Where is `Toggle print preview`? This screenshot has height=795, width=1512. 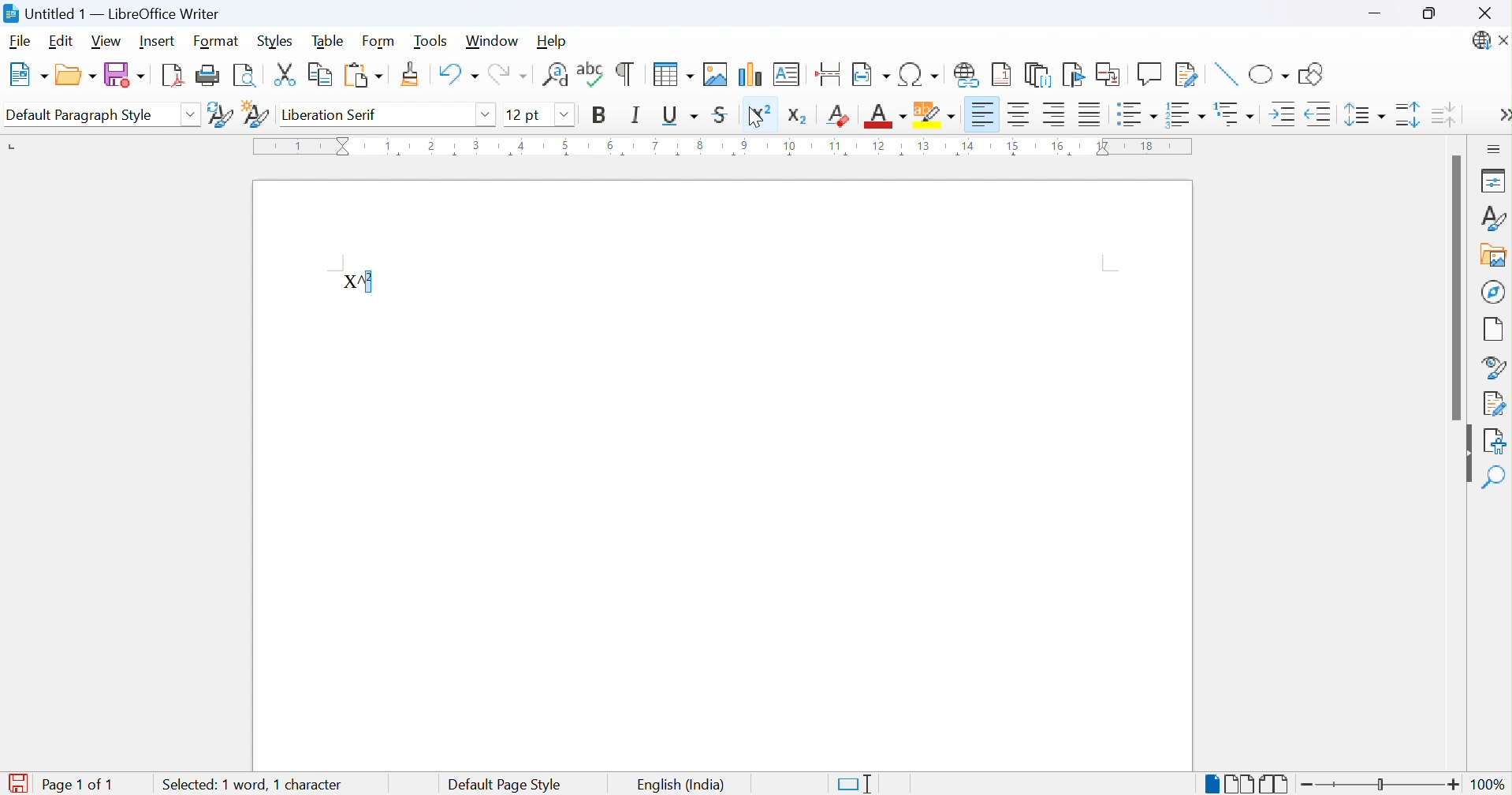 Toggle print preview is located at coordinates (244, 77).